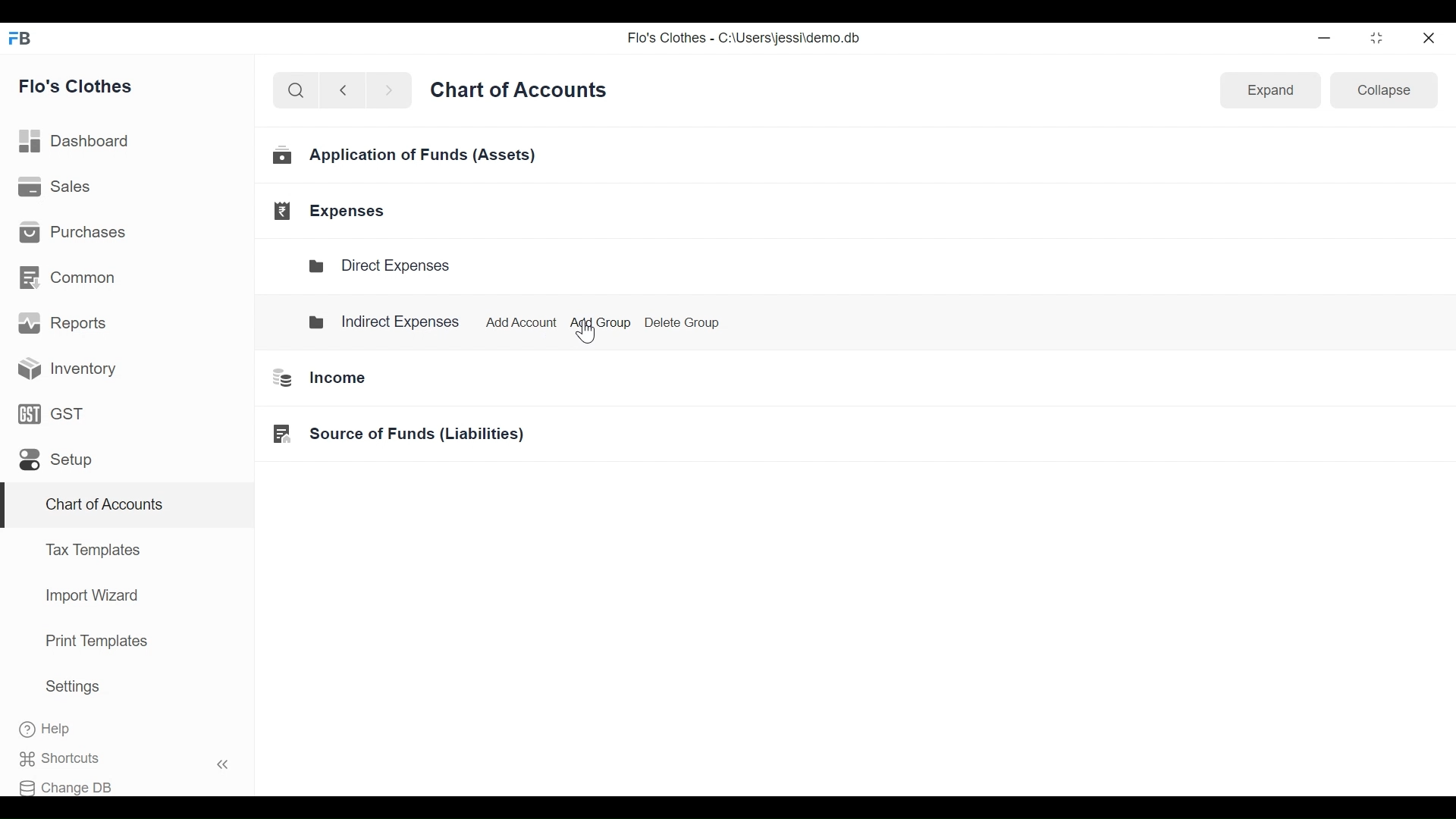  What do you see at coordinates (406, 158) in the screenshot?
I see `Application of Funds (Assets)` at bounding box center [406, 158].